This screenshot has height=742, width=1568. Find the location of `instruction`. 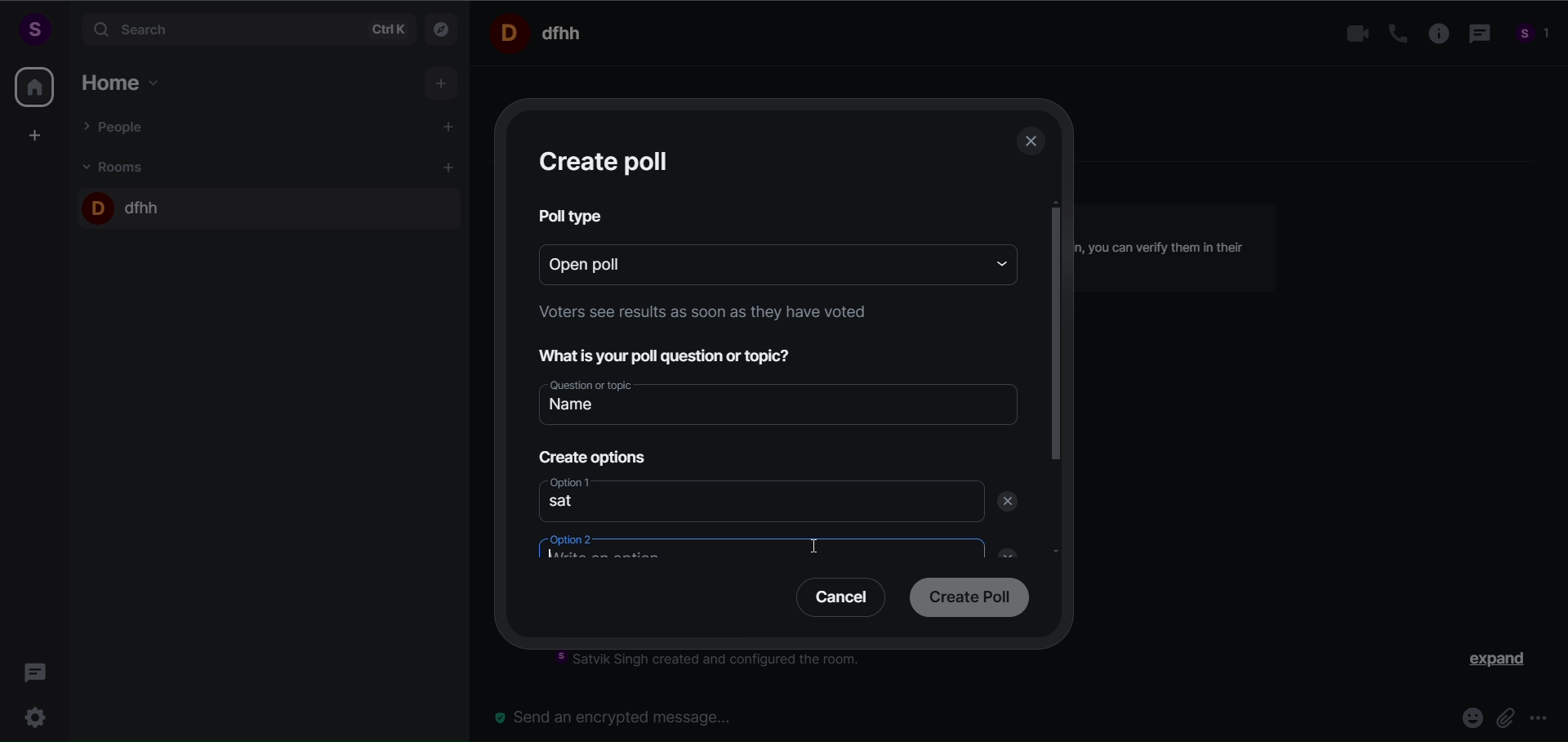

instruction is located at coordinates (719, 662).